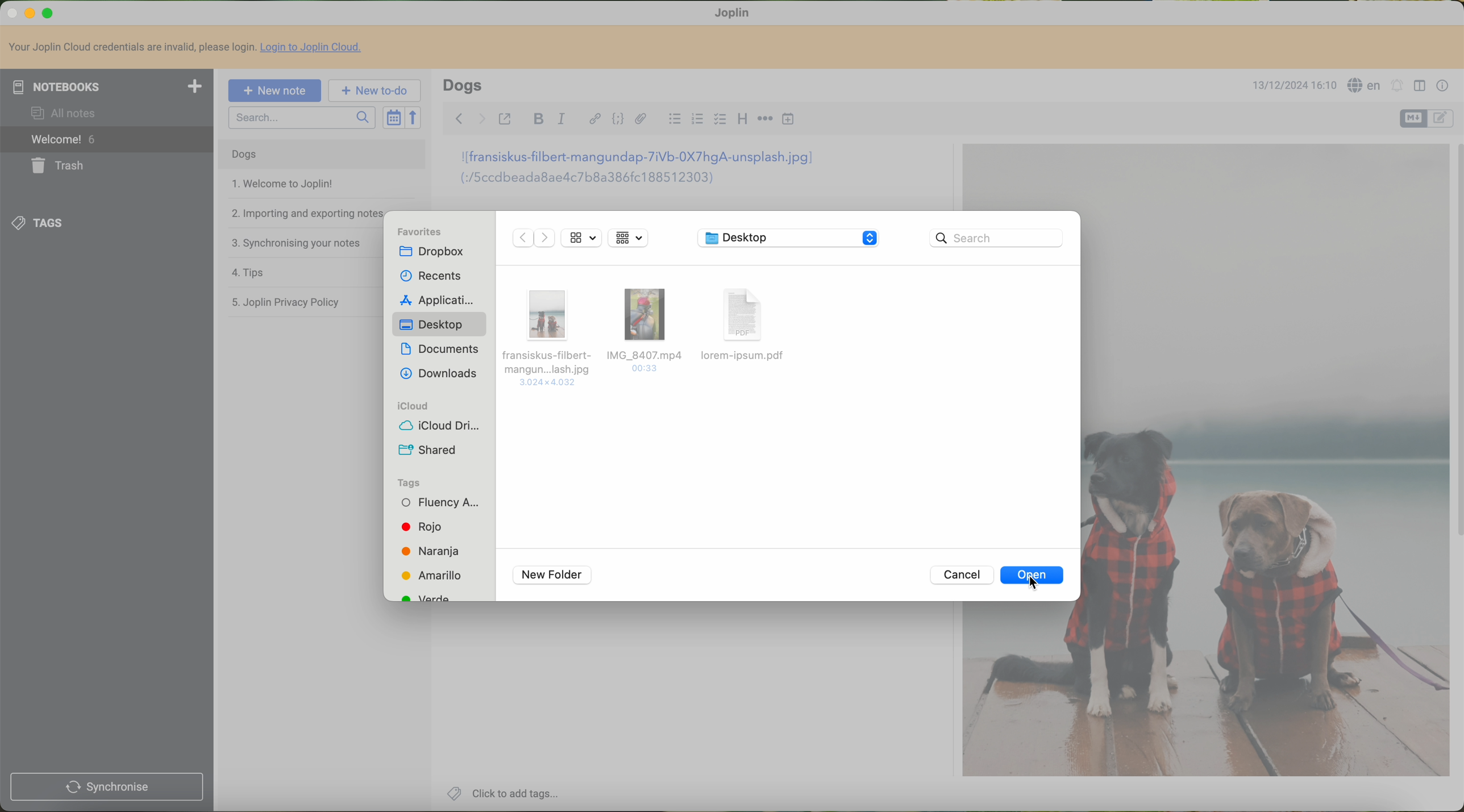 Image resolution: width=1464 pixels, height=812 pixels. I want to click on icloud, so click(414, 406).